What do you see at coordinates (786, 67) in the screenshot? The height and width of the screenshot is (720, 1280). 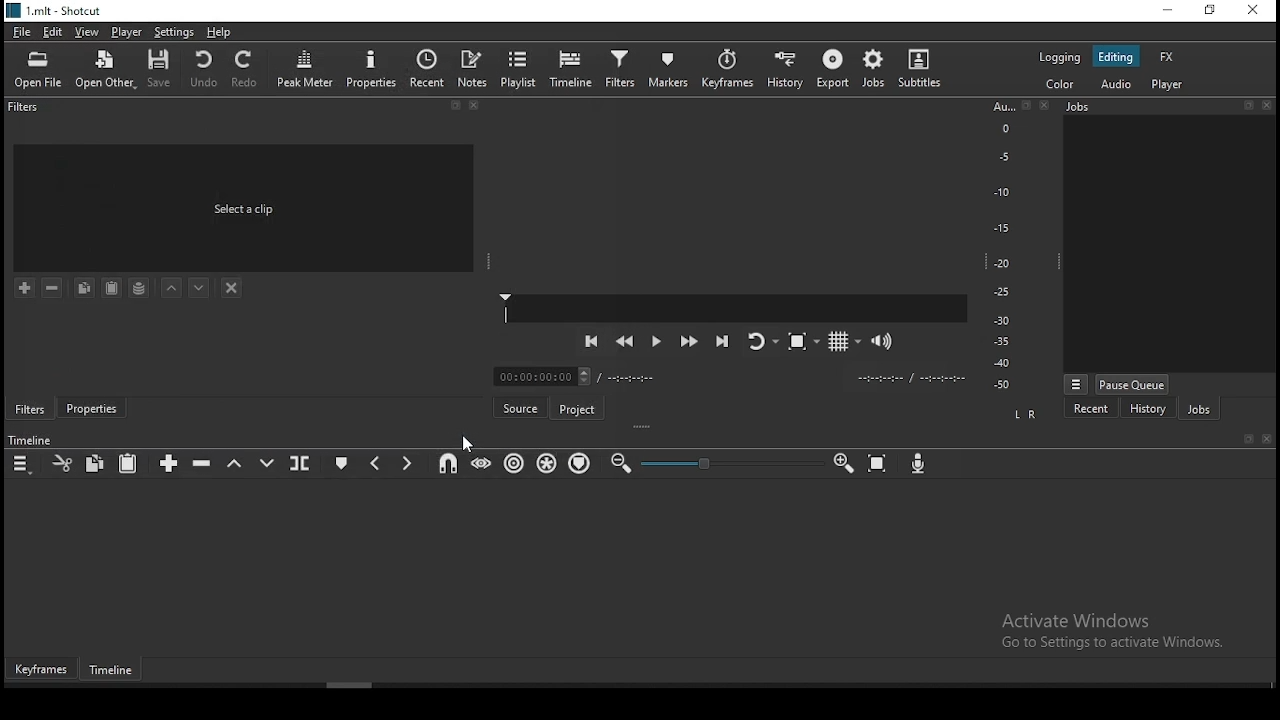 I see `history` at bounding box center [786, 67].